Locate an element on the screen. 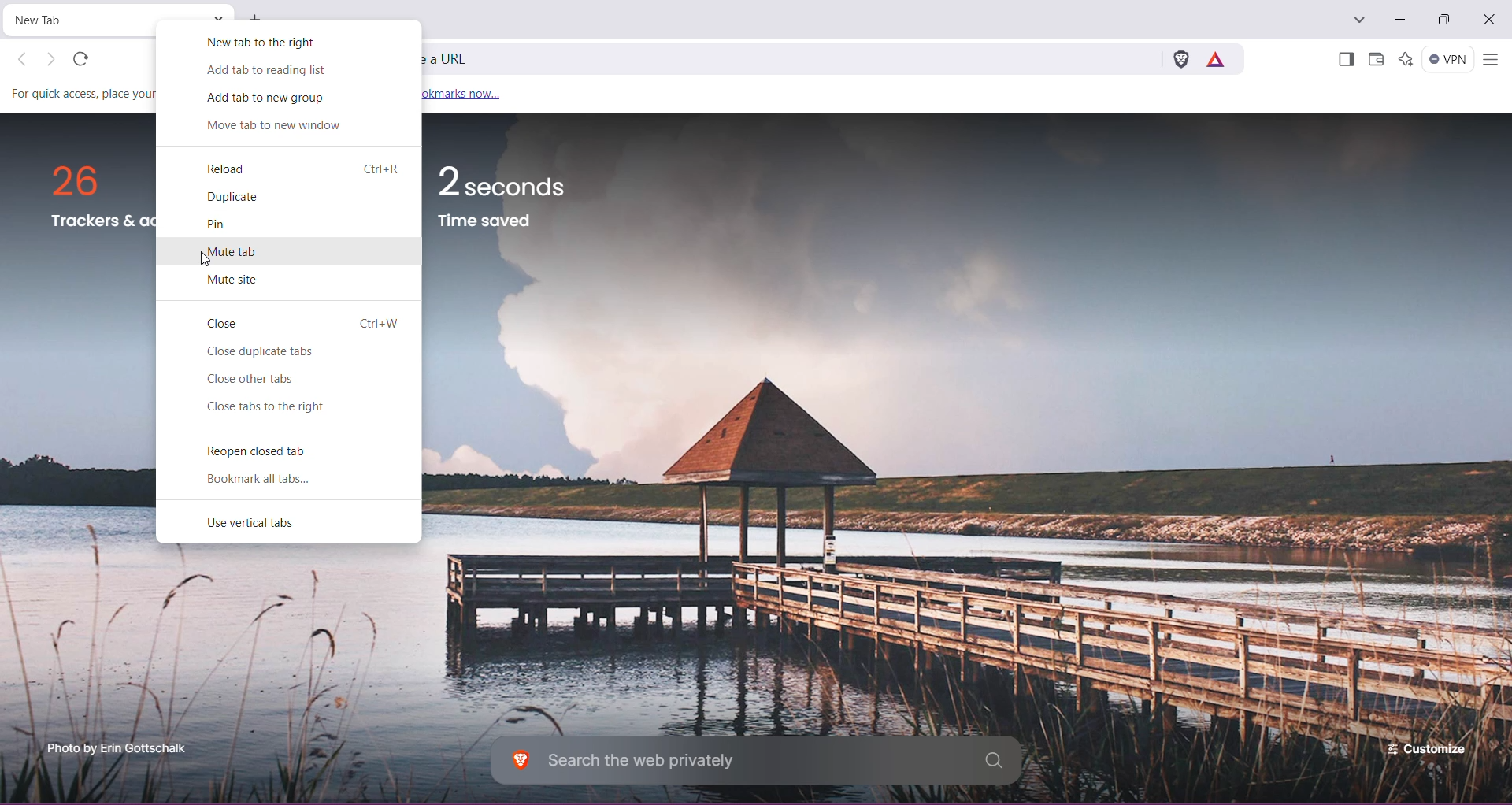 This screenshot has width=1512, height=805. Bookmark all tabs is located at coordinates (264, 479).